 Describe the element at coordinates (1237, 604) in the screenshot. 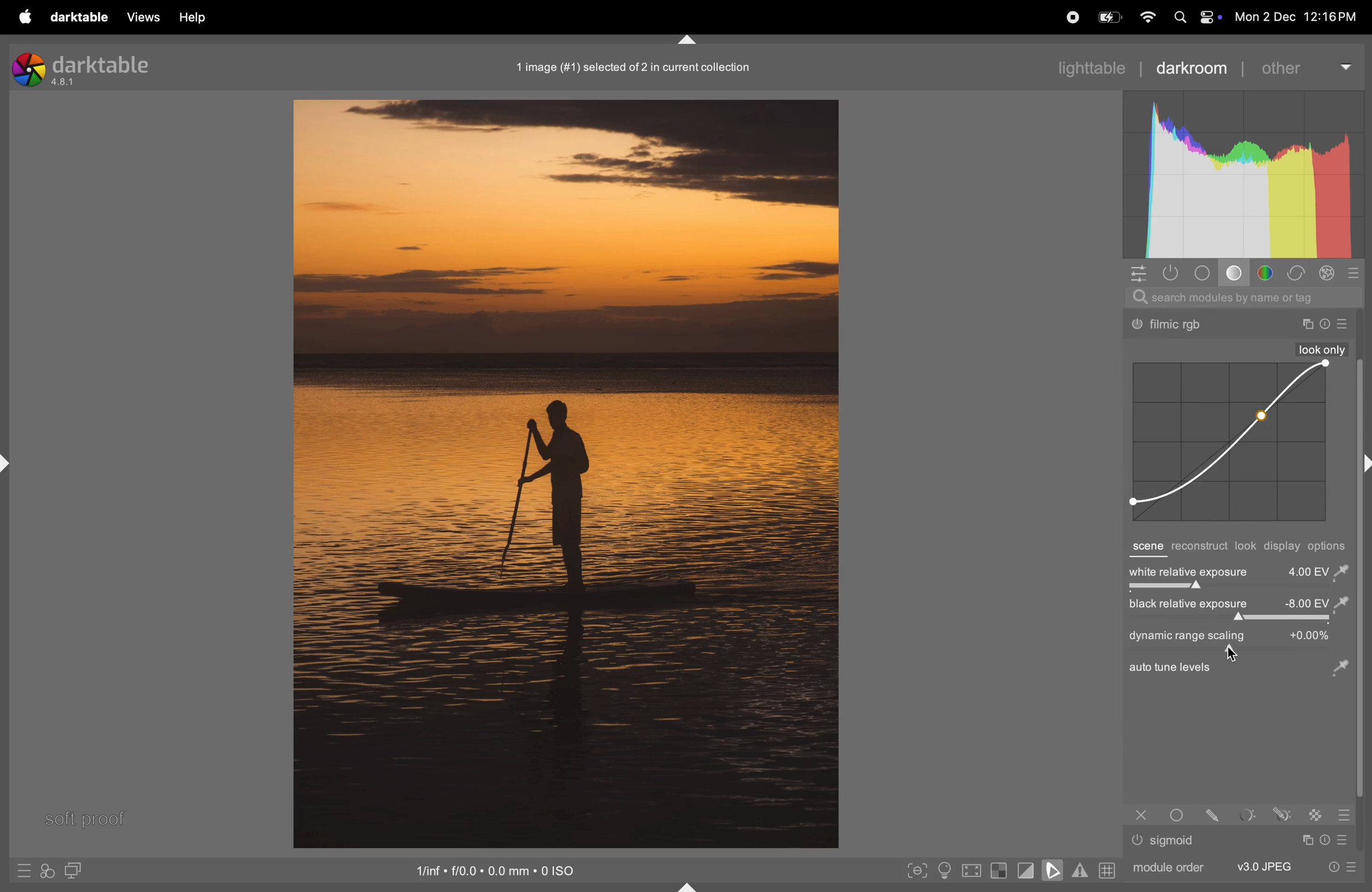

I see `black exposure` at that location.